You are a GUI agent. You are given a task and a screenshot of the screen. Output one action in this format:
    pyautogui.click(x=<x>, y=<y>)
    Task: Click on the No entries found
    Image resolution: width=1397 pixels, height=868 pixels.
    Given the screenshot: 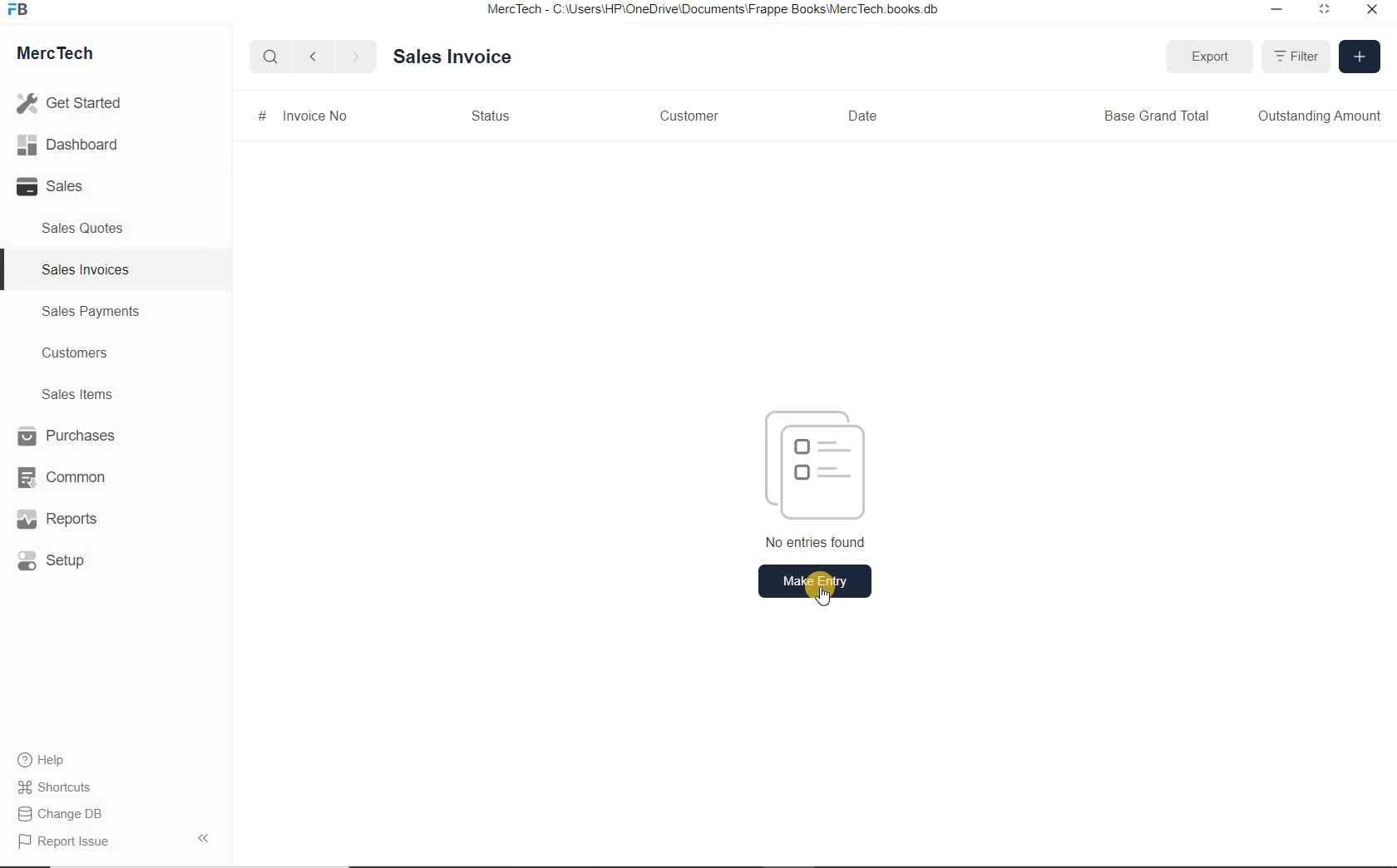 What is the action you would take?
    pyautogui.click(x=807, y=476)
    